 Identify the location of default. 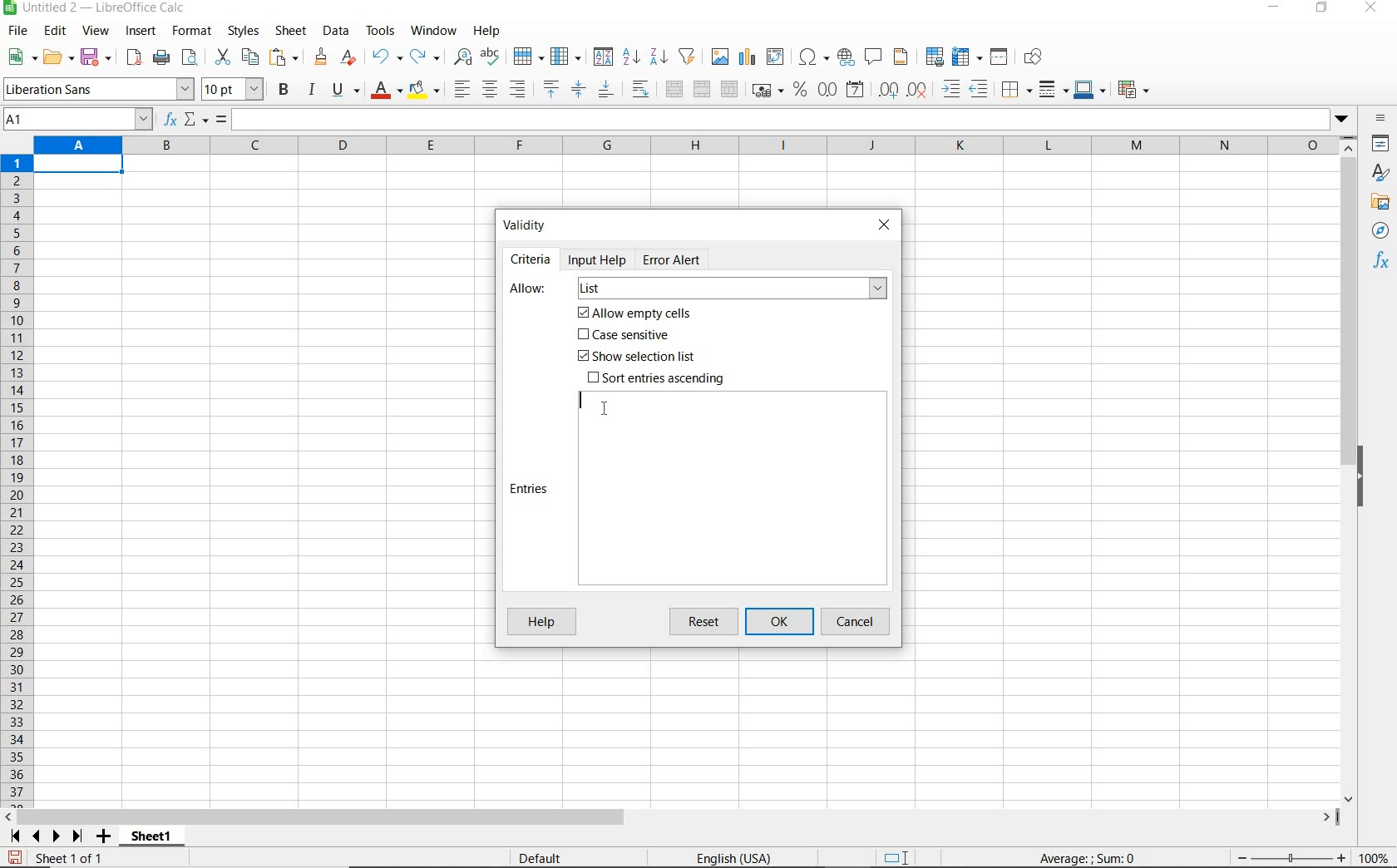
(543, 859).